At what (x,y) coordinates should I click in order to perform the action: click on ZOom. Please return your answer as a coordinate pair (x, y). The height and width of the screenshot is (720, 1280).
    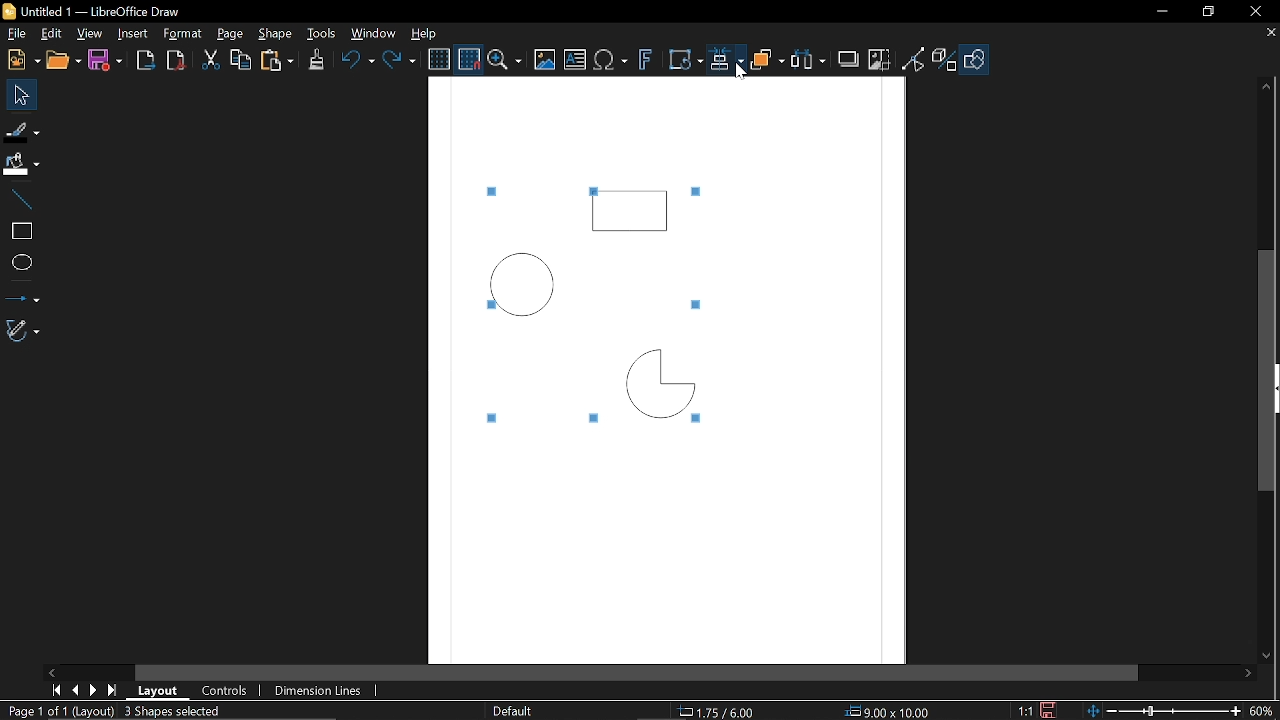
    Looking at the image, I should click on (505, 59).